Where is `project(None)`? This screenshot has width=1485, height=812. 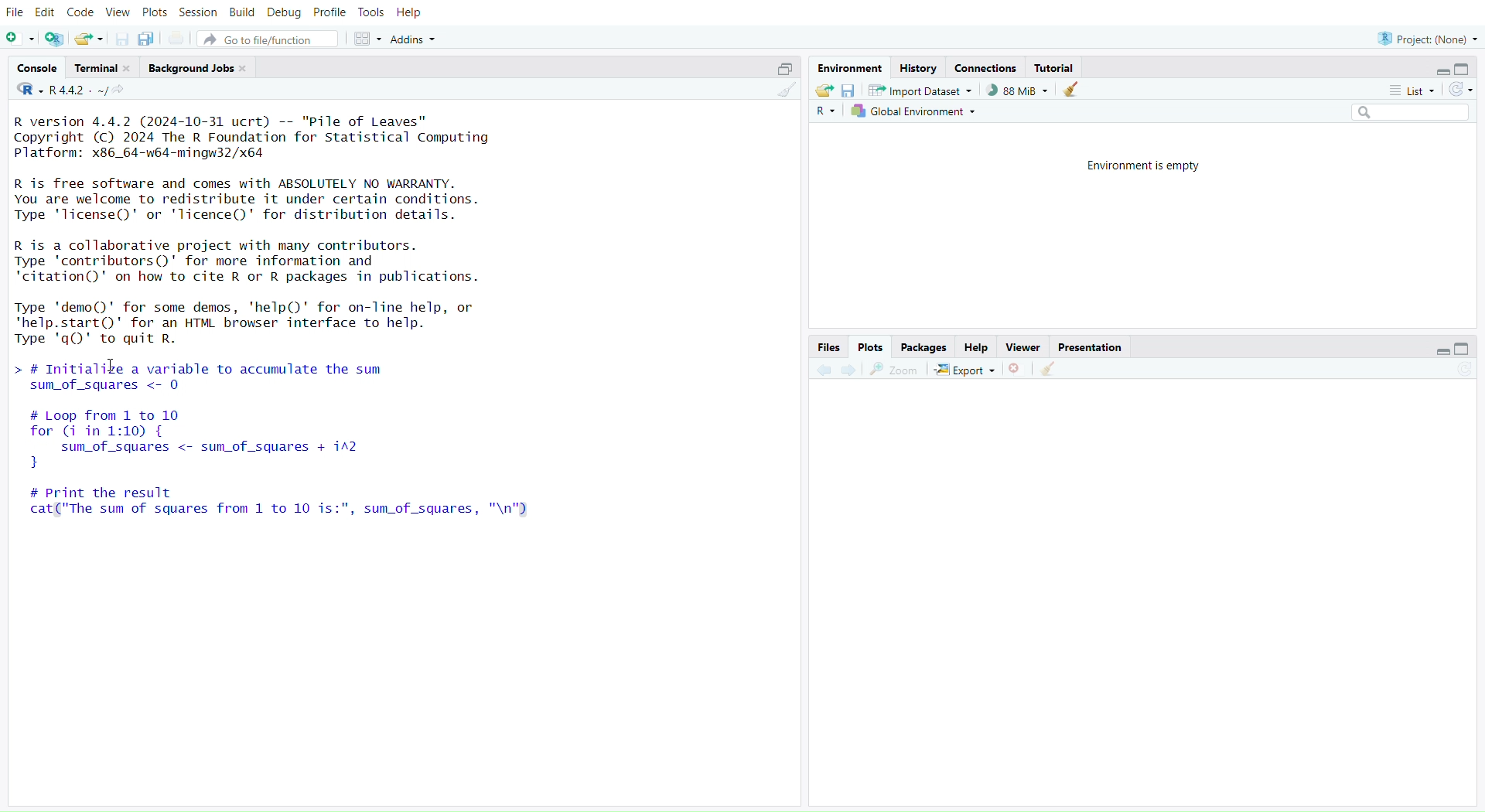 project(None) is located at coordinates (1424, 38).